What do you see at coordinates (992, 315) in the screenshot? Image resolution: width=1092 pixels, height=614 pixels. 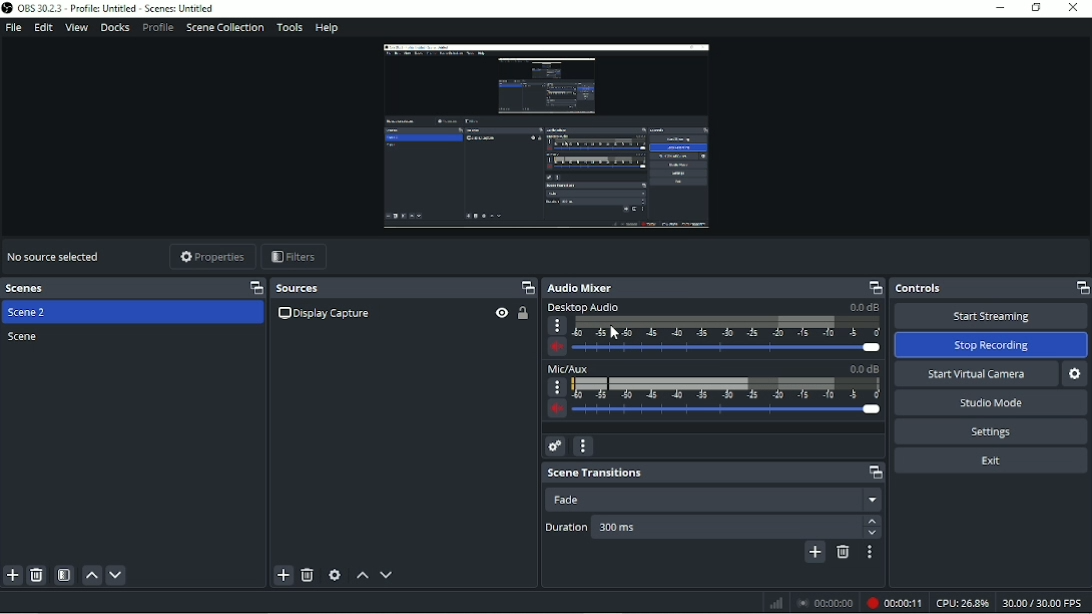 I see `Start Streaming` at bounding box center [992, 315].